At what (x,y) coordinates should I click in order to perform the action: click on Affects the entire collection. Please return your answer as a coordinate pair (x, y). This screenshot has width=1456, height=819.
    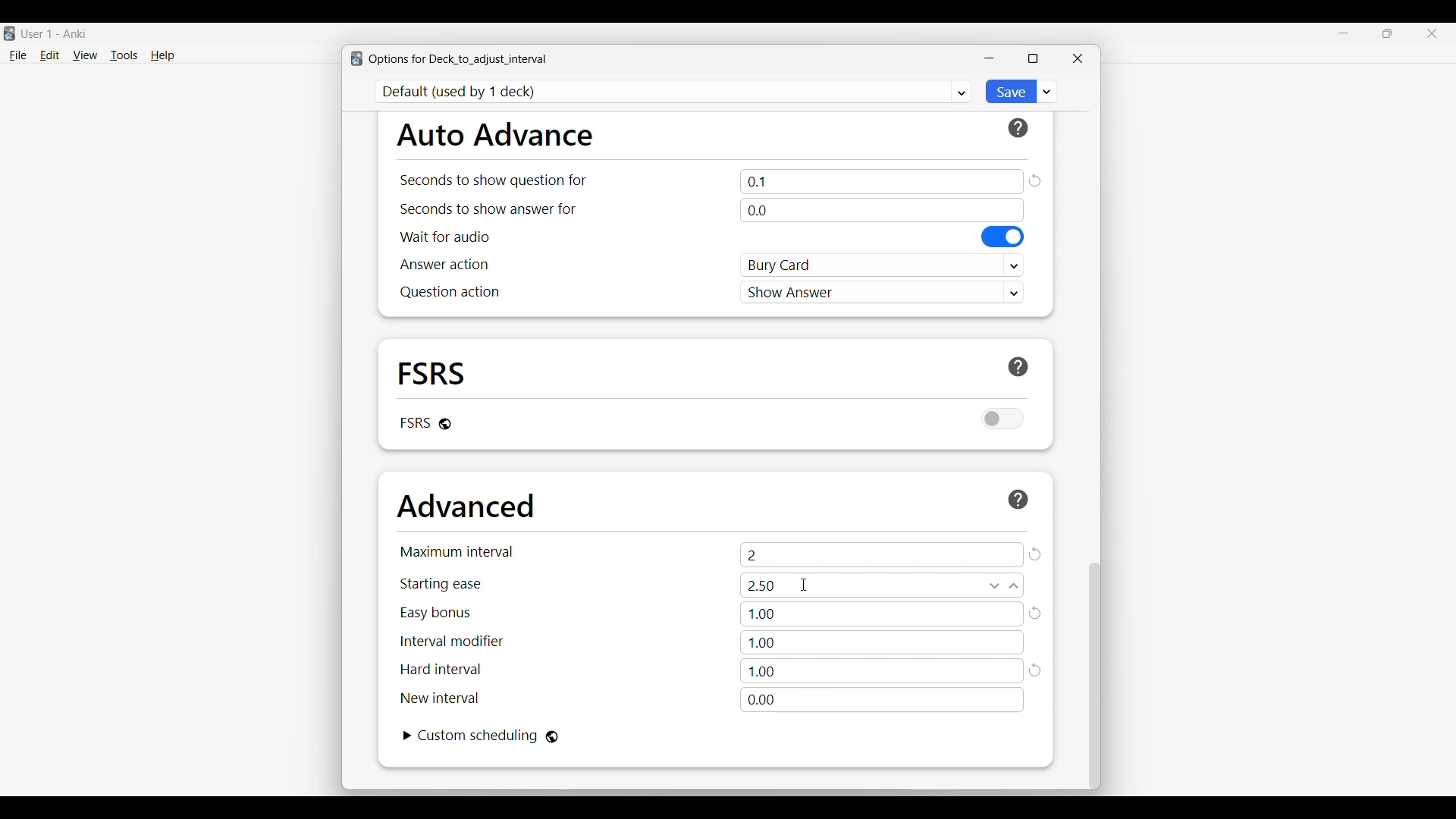
    Looking at the image, I should click on (445, 424).